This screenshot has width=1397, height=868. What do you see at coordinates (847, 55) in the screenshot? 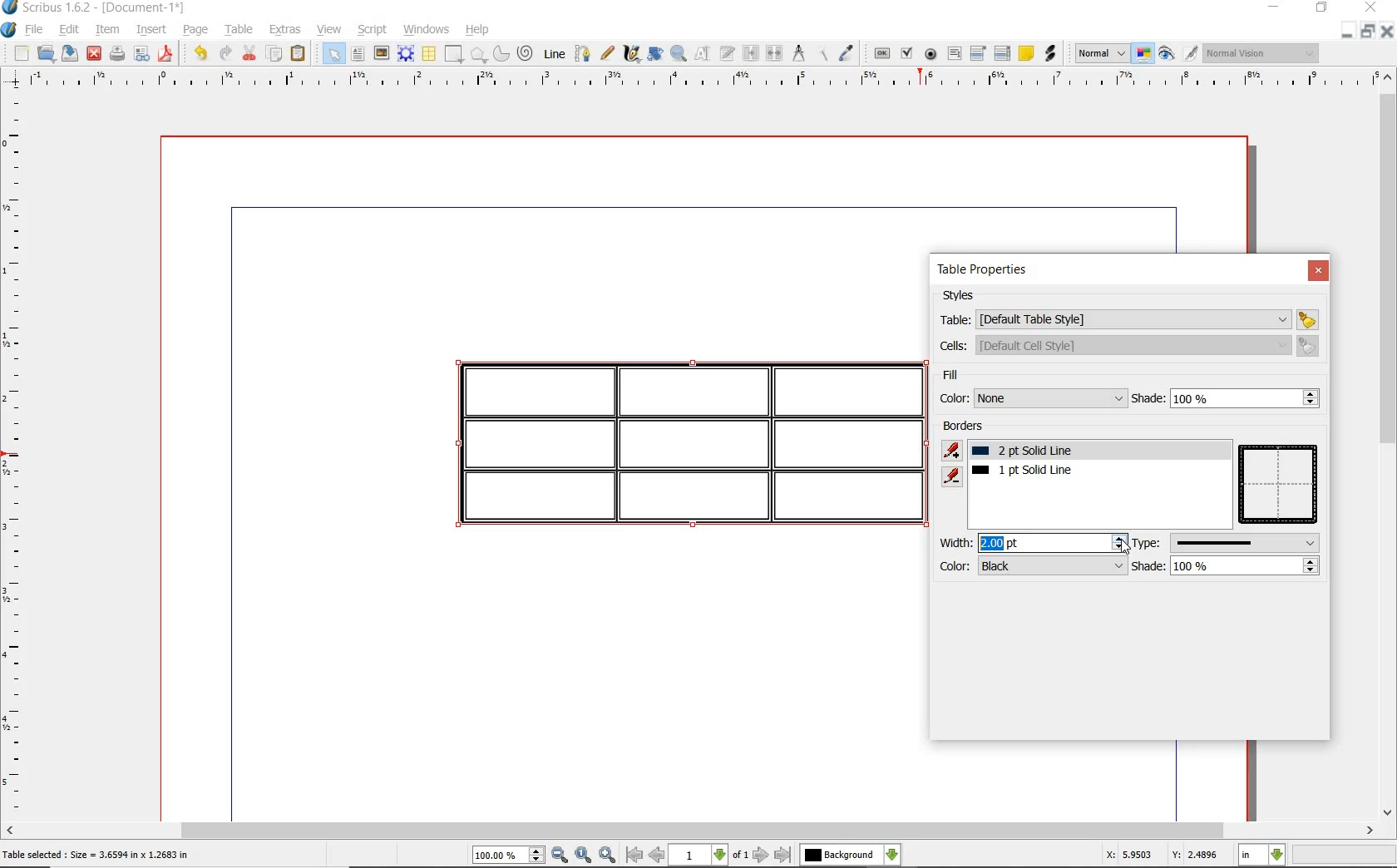
I see `eye dropper` at bounding box center [847, 55].